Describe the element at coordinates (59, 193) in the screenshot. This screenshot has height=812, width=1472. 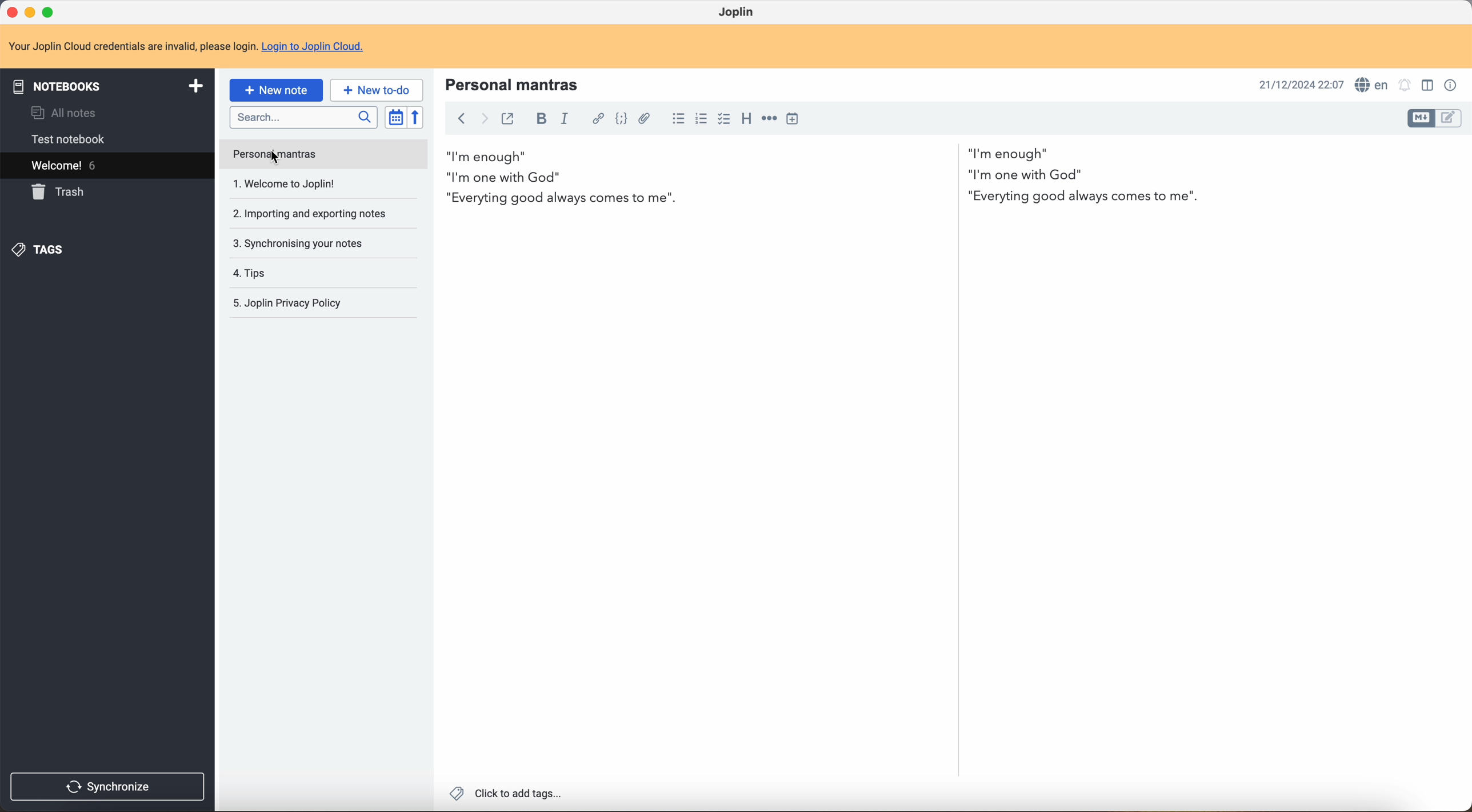
I see `trash` at that location.